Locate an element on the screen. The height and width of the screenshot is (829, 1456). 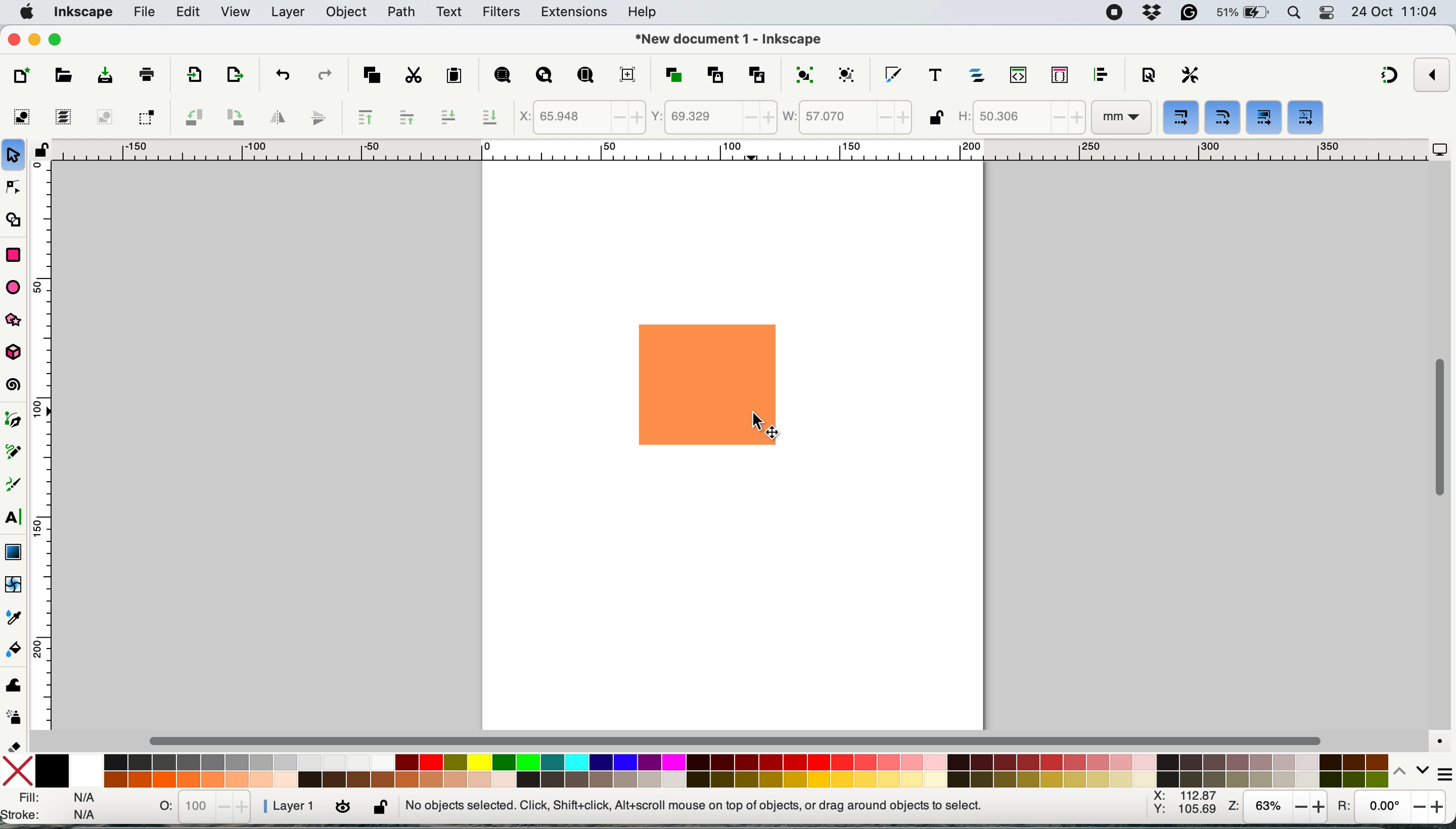
zoom drawing is located at coordinates (544, 77).